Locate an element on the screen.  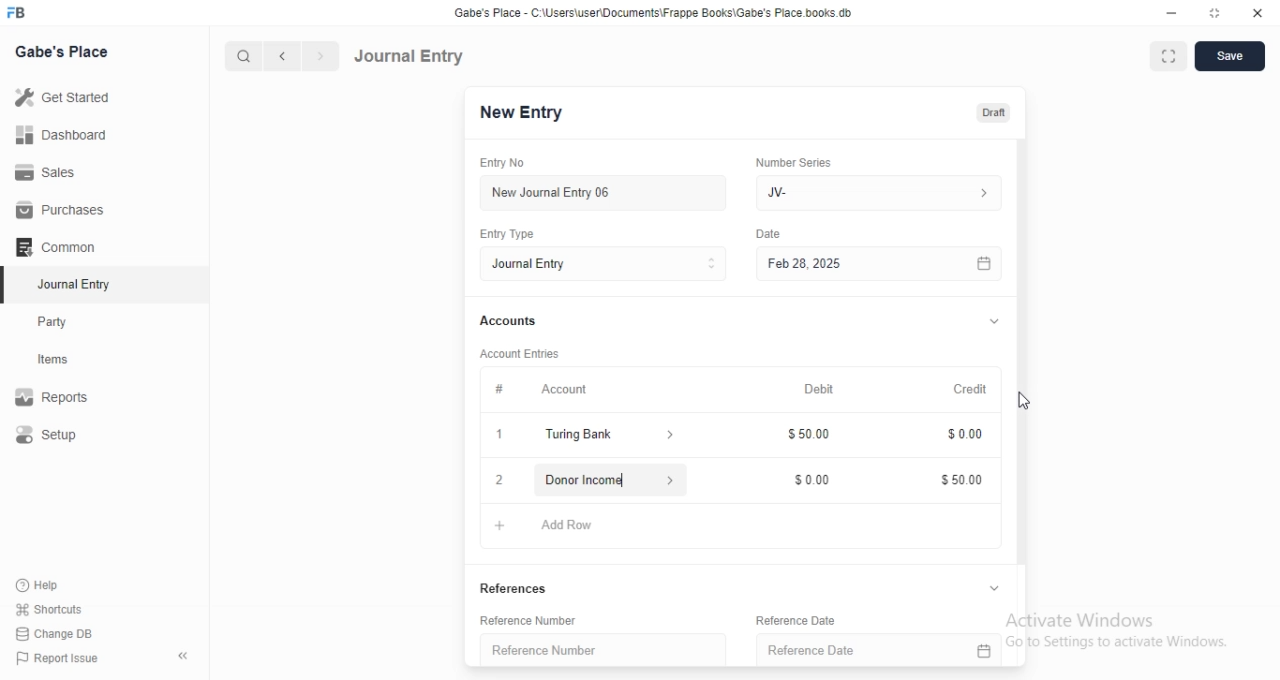
Purchases is located at coordinates (63, 210).